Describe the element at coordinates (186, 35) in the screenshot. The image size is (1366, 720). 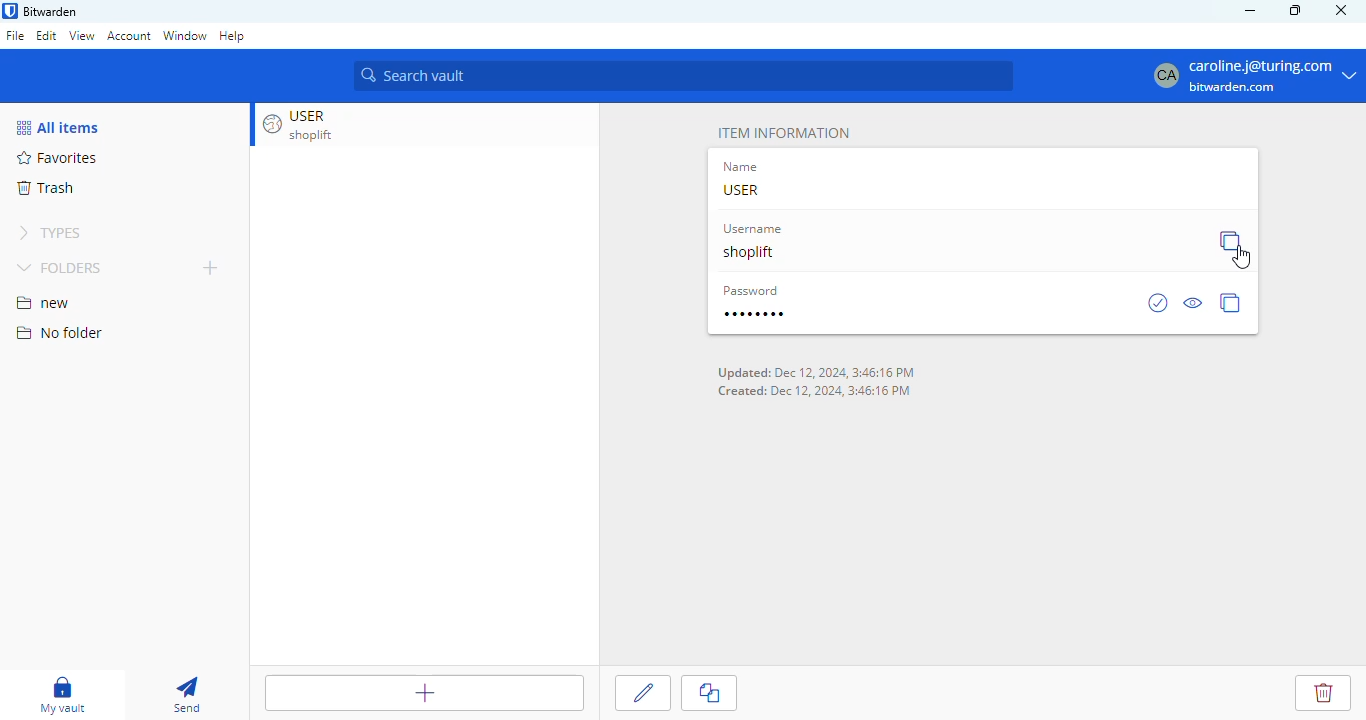
I see `window` at that location.